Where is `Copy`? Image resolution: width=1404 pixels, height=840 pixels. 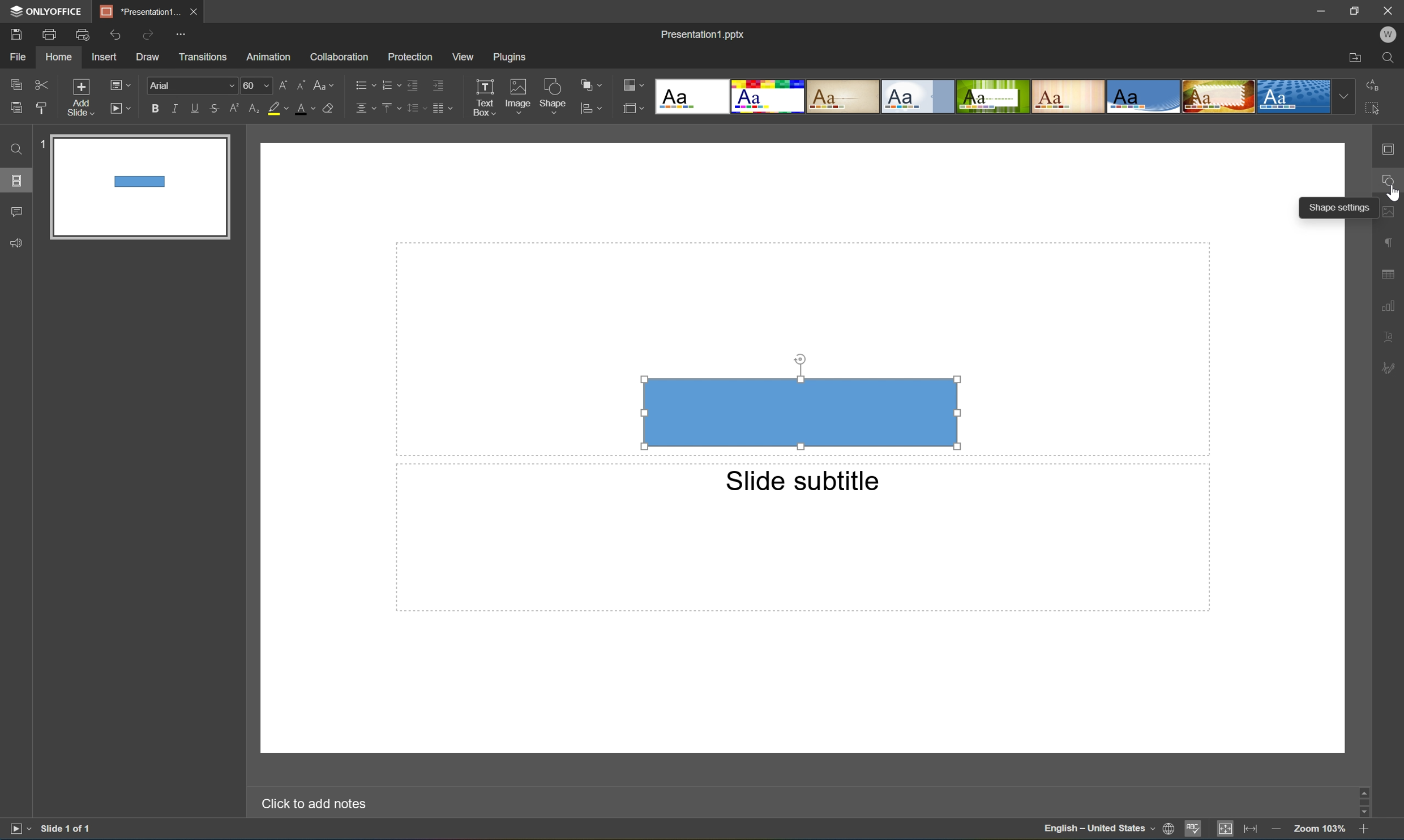 Copy is located at coordinates (17, 82).